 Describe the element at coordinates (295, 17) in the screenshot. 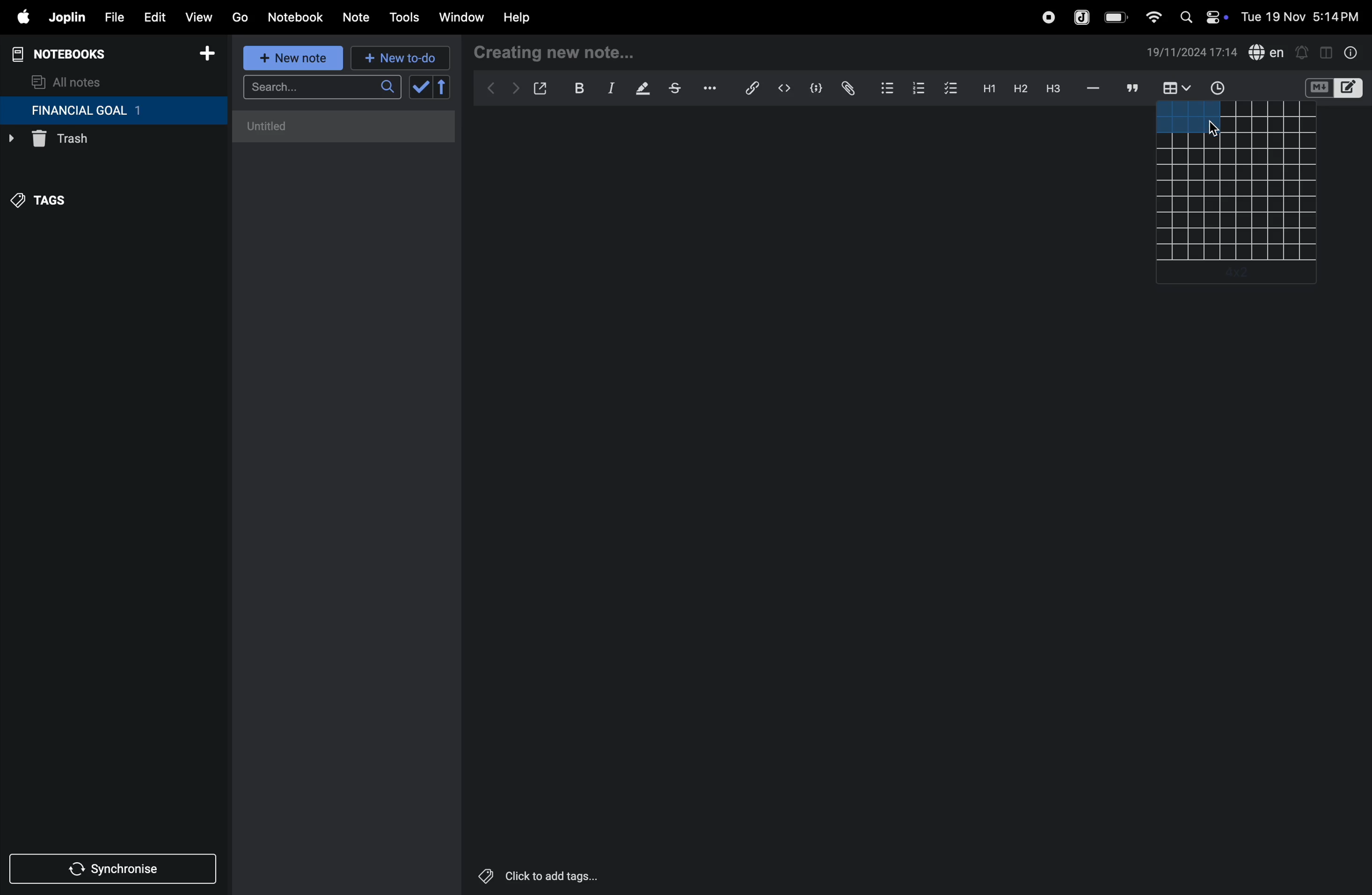

I see `notebook` at that location.